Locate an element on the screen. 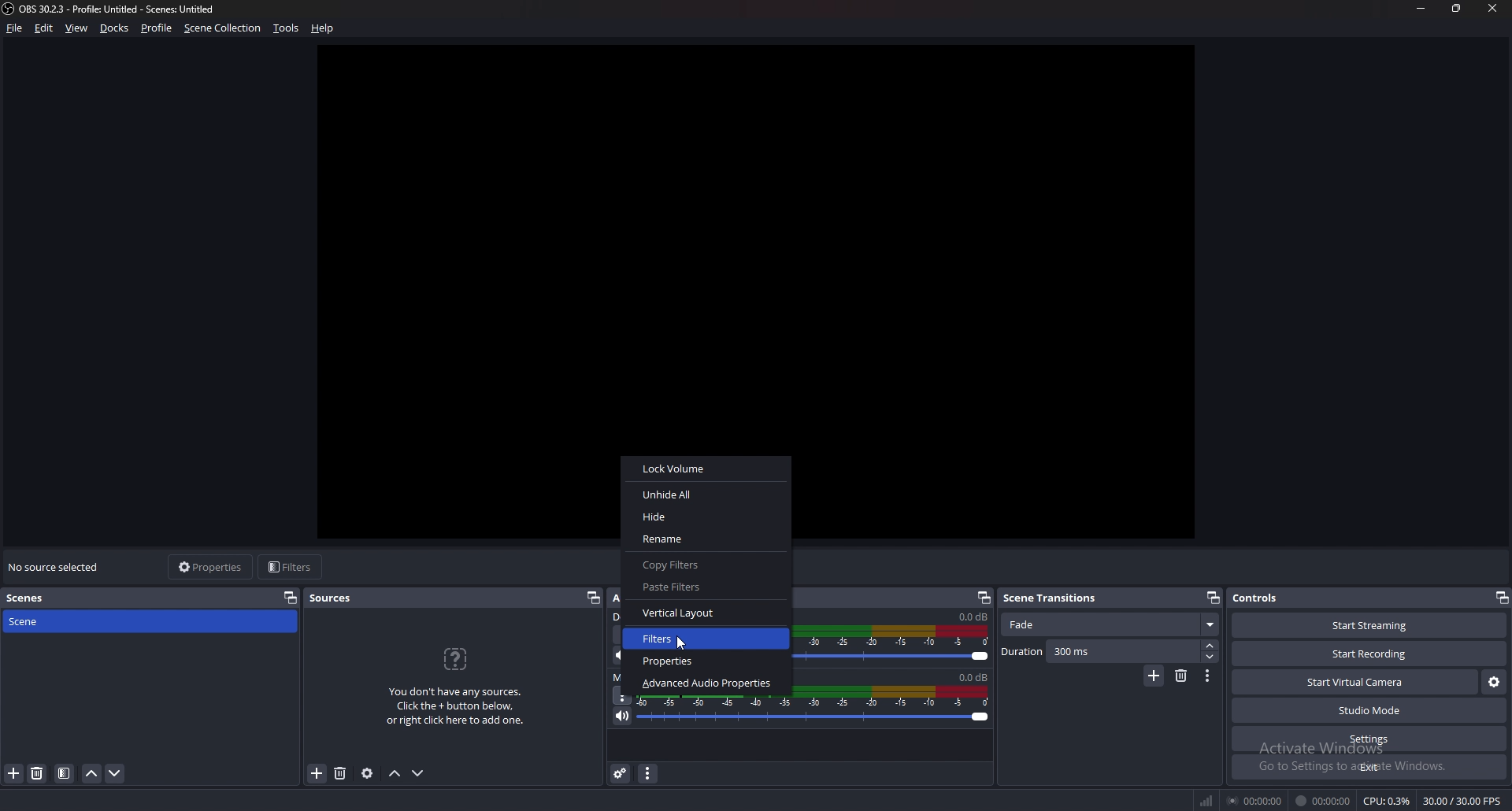 The width and height of the screenshot is (1512, 811). scenes is located at coordinates (28, 598).